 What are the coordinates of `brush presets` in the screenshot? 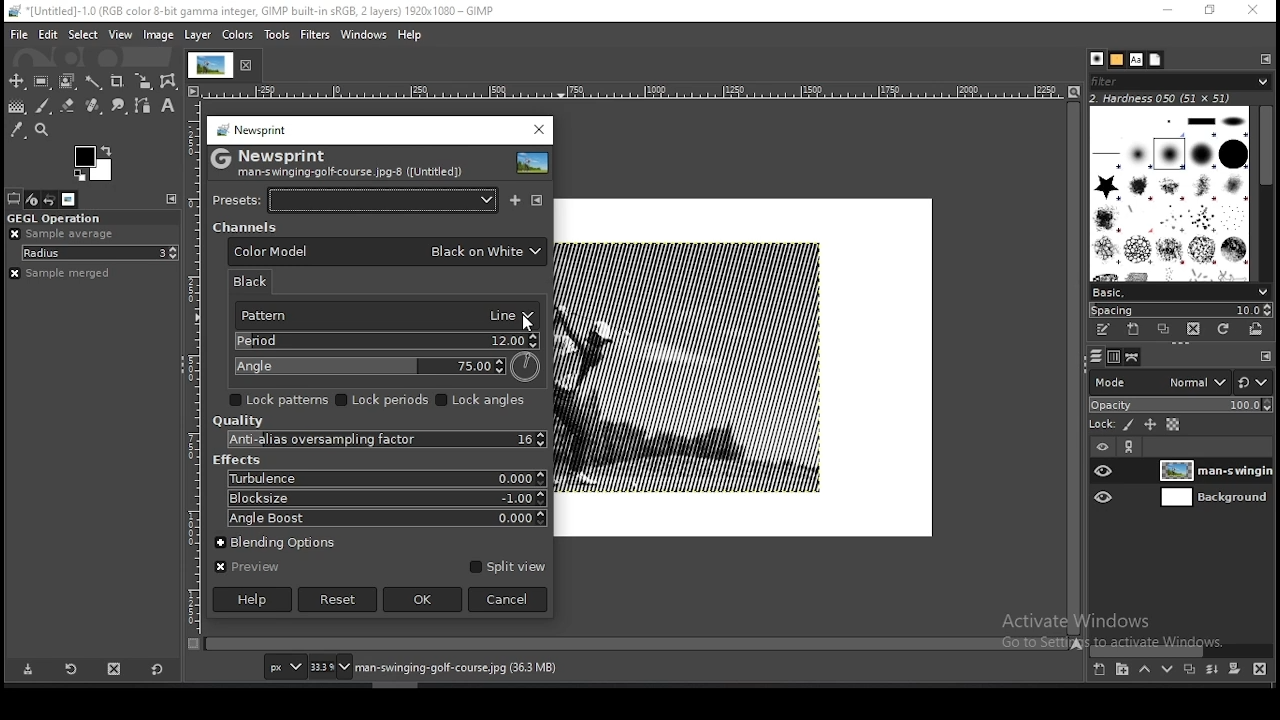 It's located at (1177, 291).